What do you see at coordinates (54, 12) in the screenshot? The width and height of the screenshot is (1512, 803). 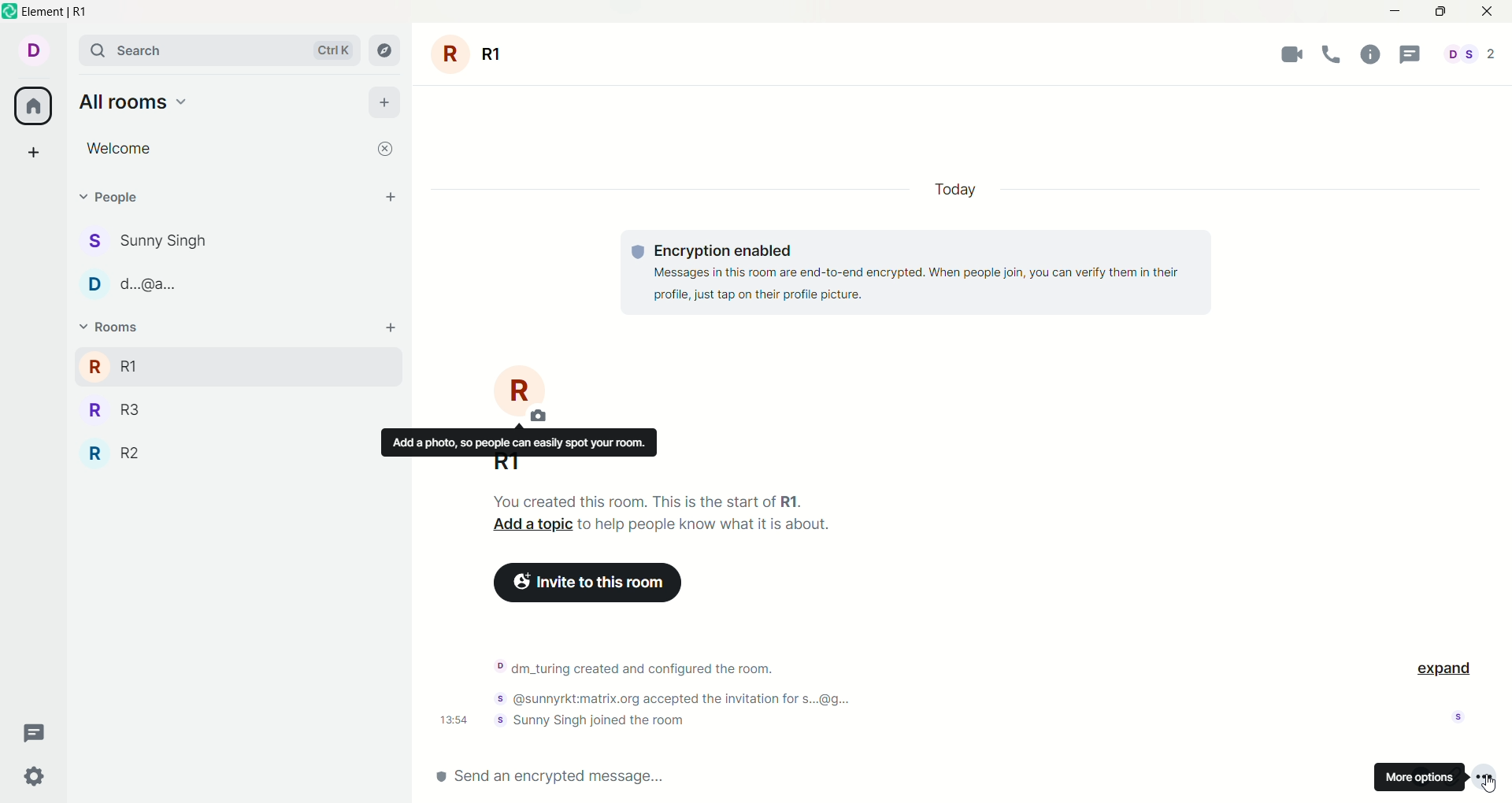 I see `Element | R1` at bounding box center [54, 12].